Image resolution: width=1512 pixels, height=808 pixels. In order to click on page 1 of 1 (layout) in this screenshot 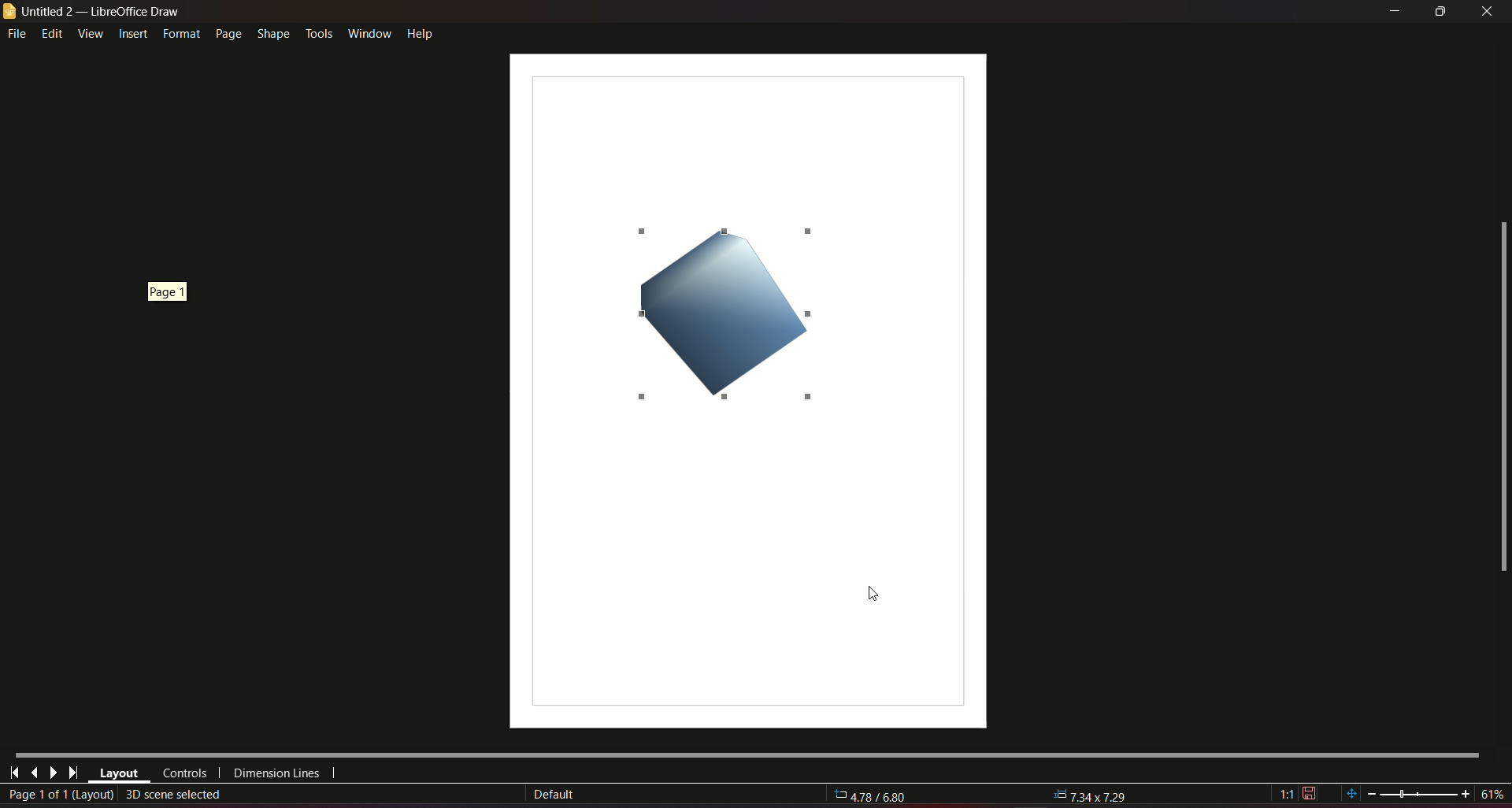, I will do `click(60, 795)`.